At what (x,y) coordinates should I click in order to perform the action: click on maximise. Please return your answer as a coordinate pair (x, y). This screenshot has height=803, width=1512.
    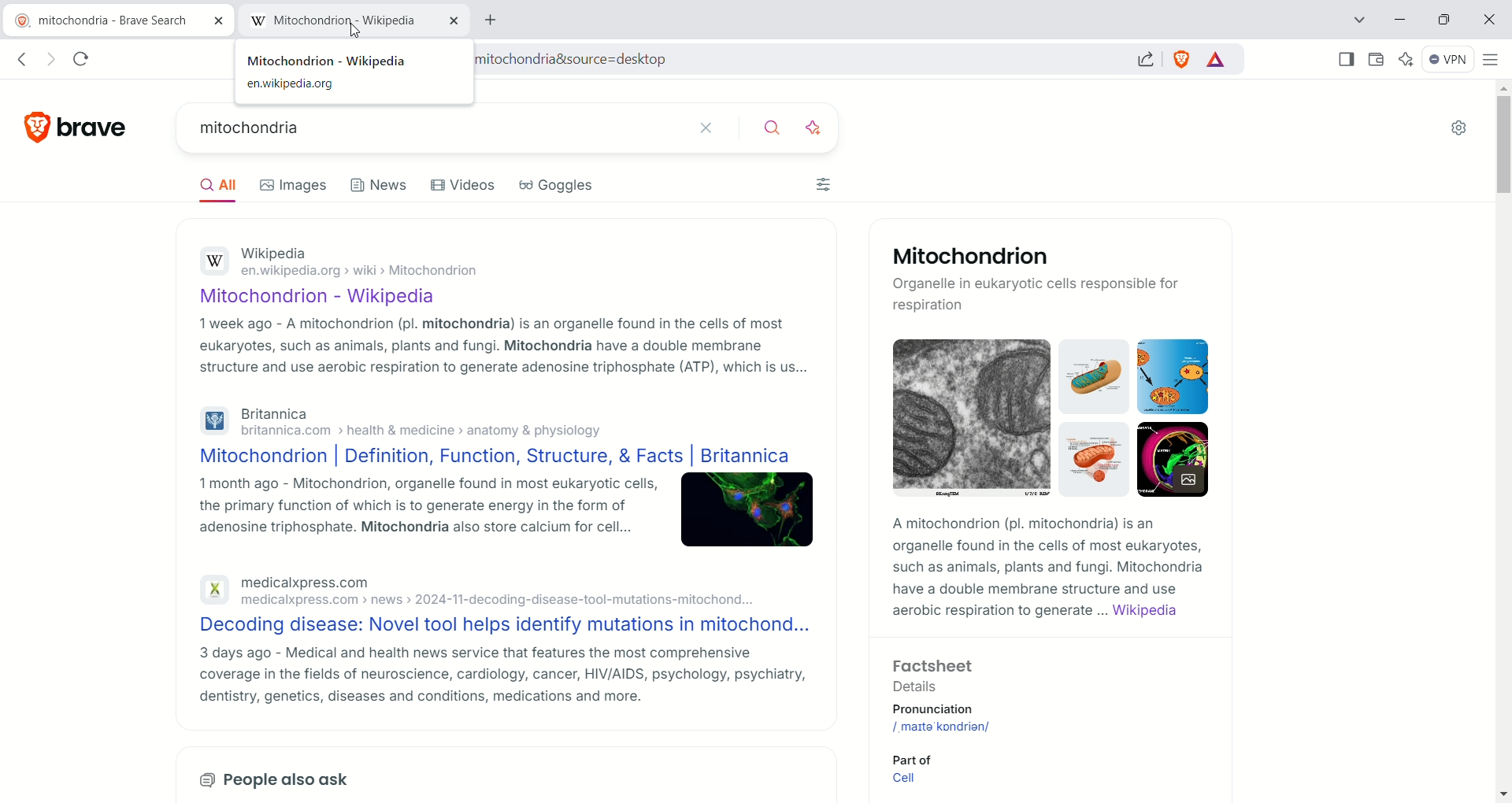
    Looking at the image, I should click on (1445, 18).